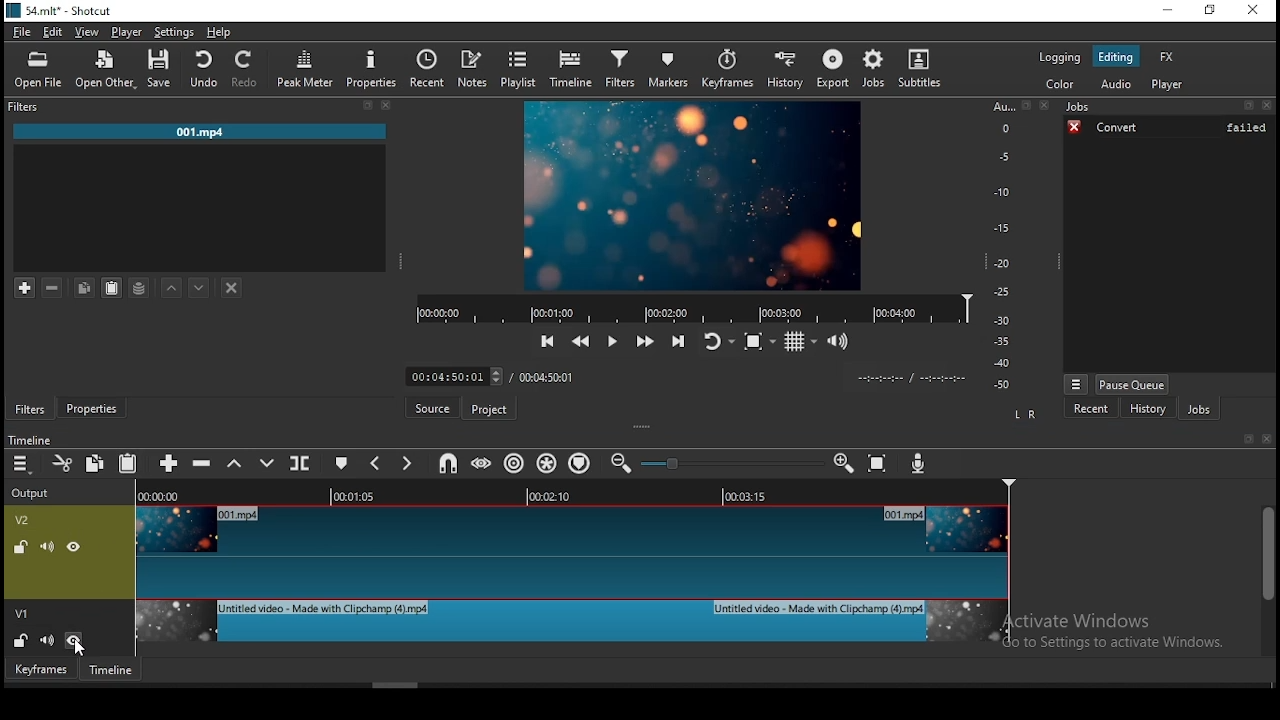 This screenshot has width=1280, height=720. Describe the element at coordinates (433, 407) in the screenshot. I see `source` at that location.